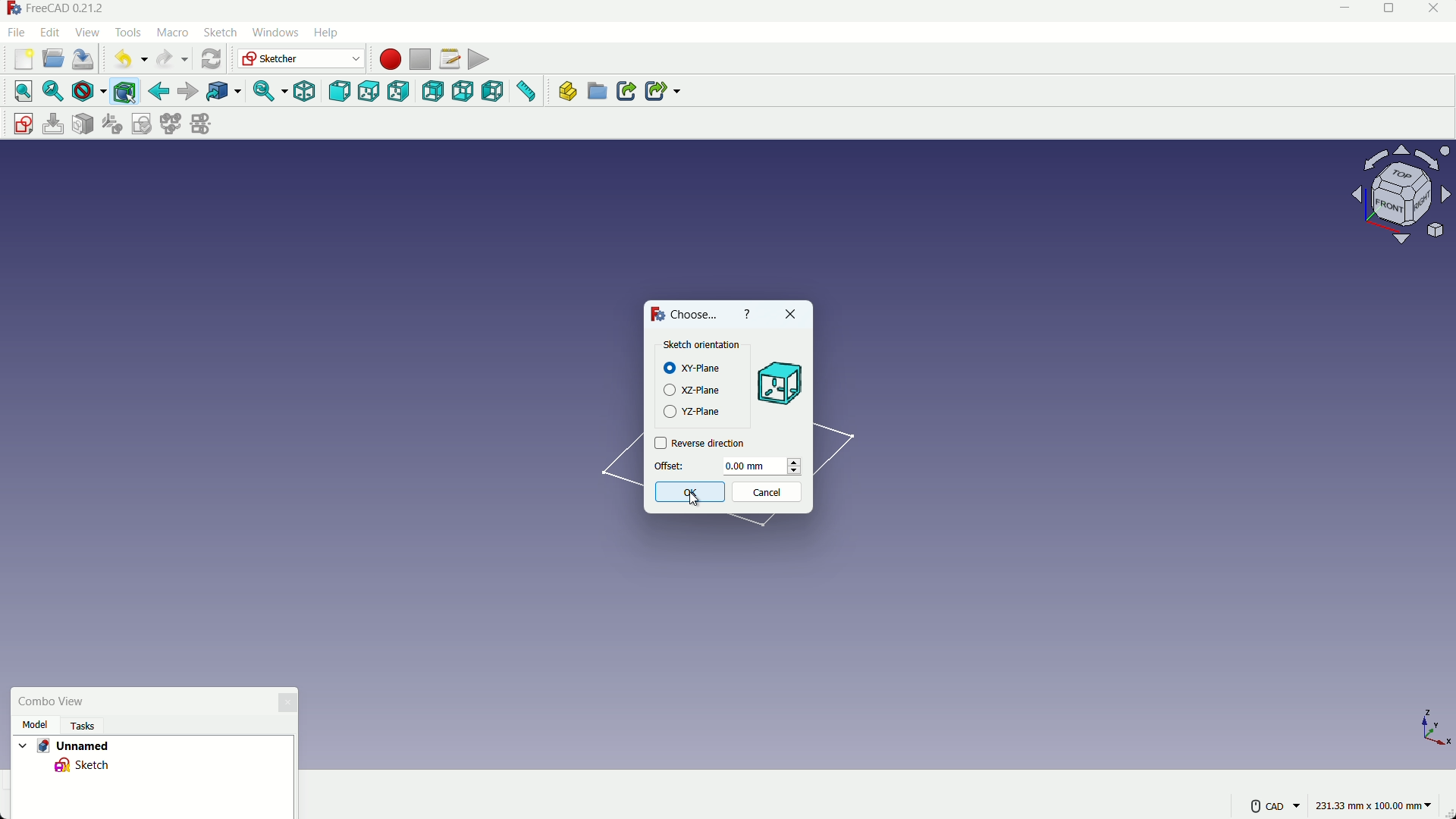 The image size is (1456, 819). What do you see at coordinates (1276, 806) in the screenshot?
I see `more settings` at bounding box center [1276, 806].